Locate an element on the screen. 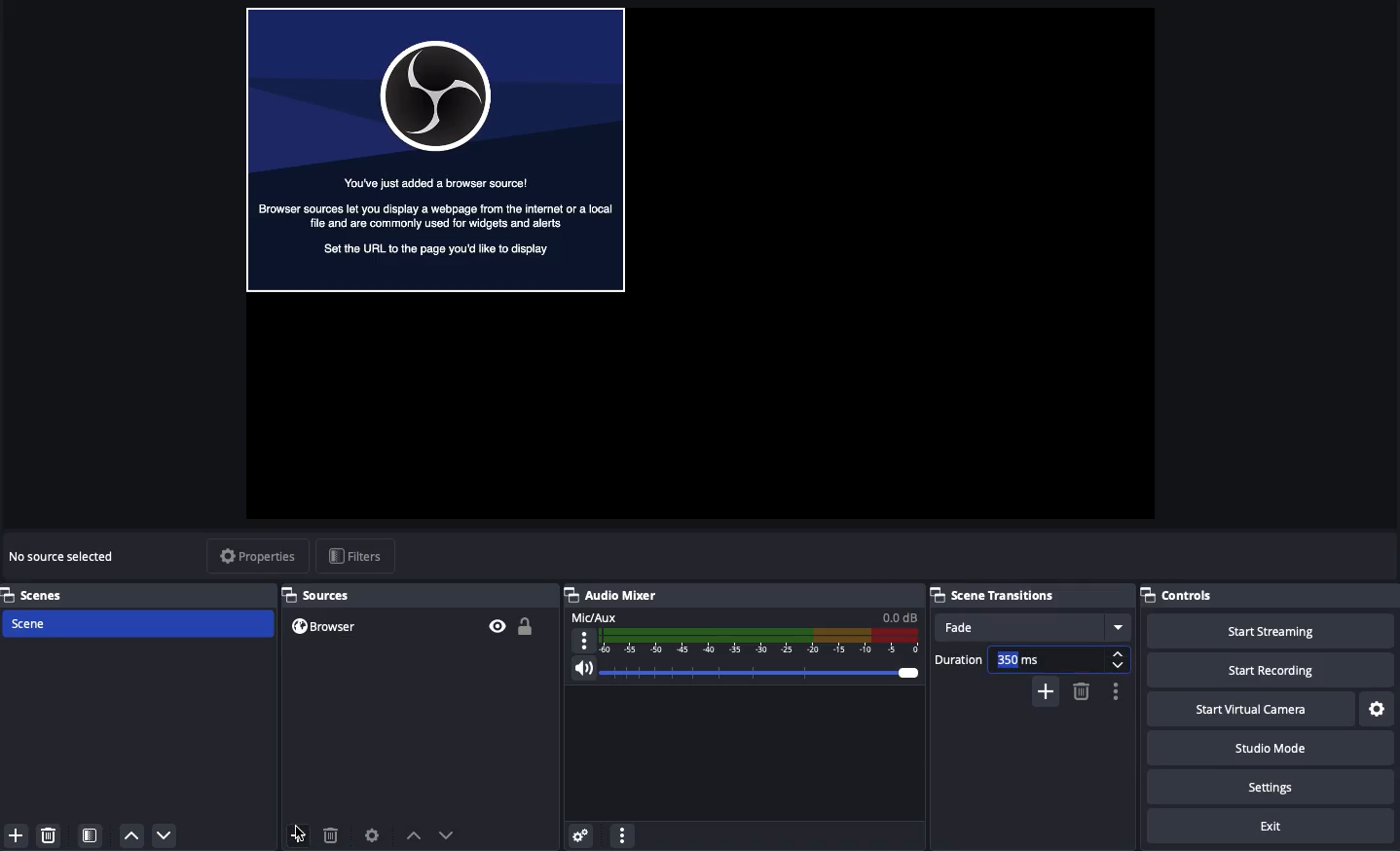 Image resolution: width=1400 pixels, height=851 pixels. Options is located at coordinates (622, 832).